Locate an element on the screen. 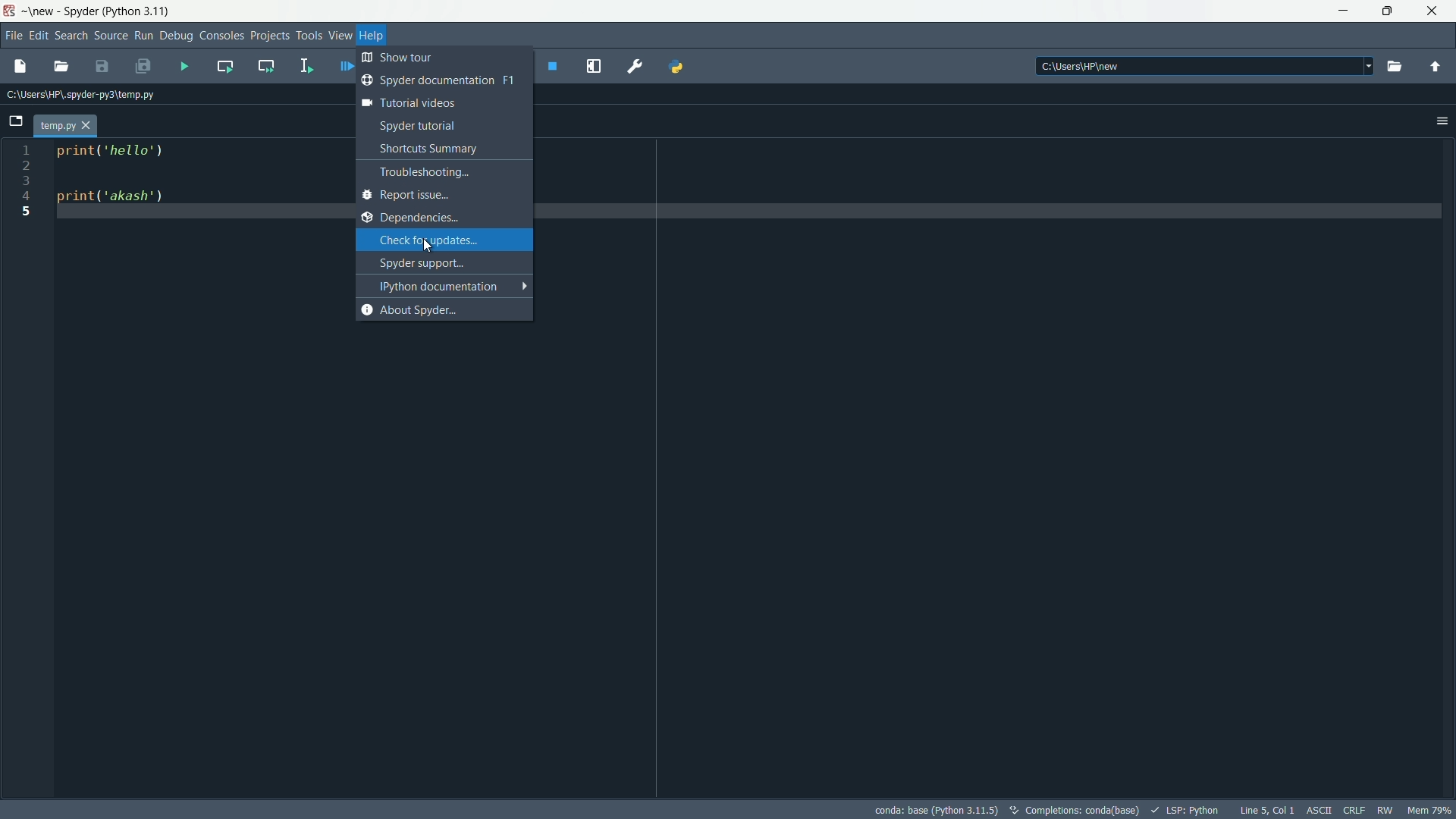  IPython documentation is located at coordinates (445, 287).